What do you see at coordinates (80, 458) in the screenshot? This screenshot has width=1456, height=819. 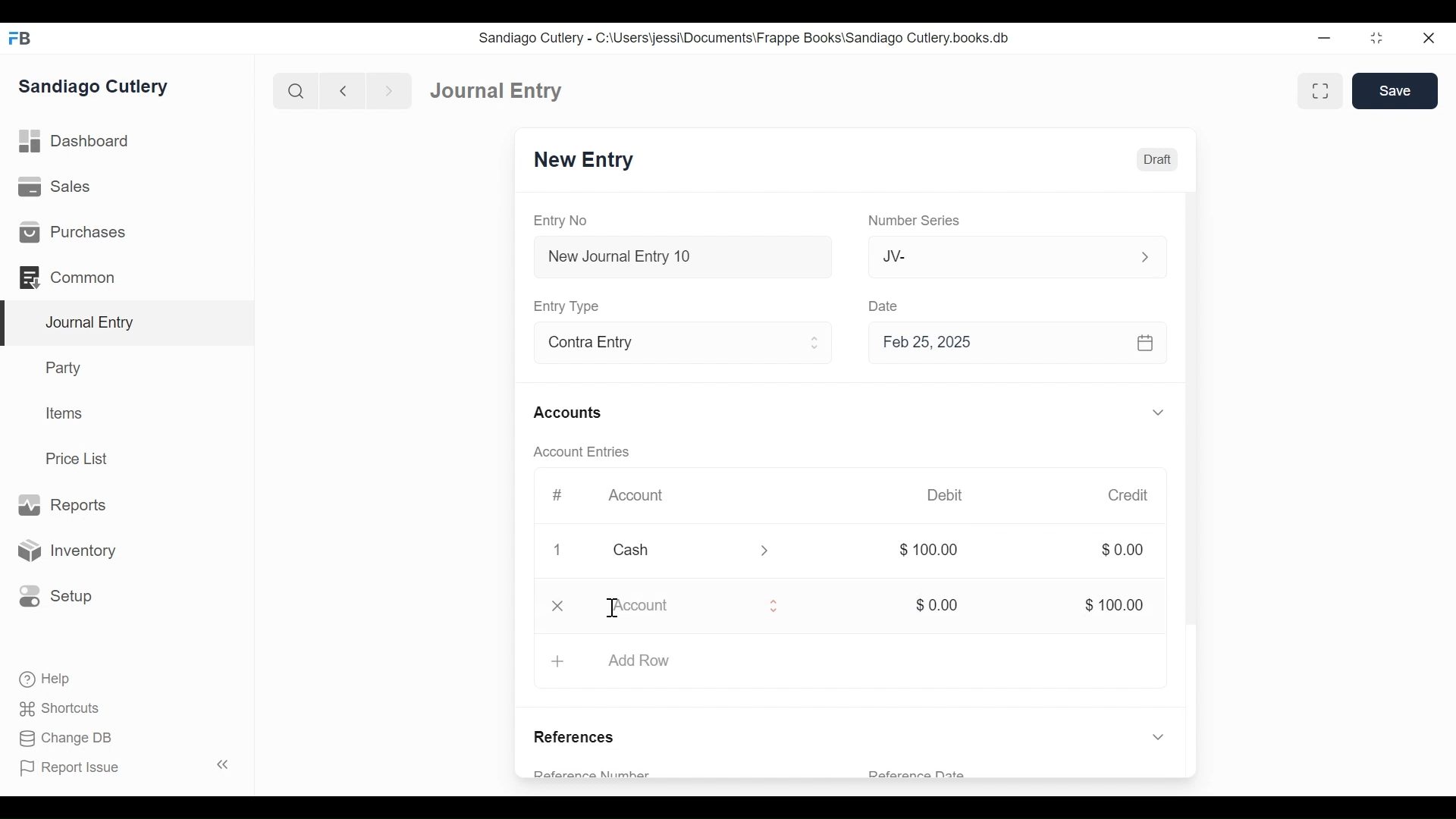 I see `Price List` at bounding box center [80, 458].